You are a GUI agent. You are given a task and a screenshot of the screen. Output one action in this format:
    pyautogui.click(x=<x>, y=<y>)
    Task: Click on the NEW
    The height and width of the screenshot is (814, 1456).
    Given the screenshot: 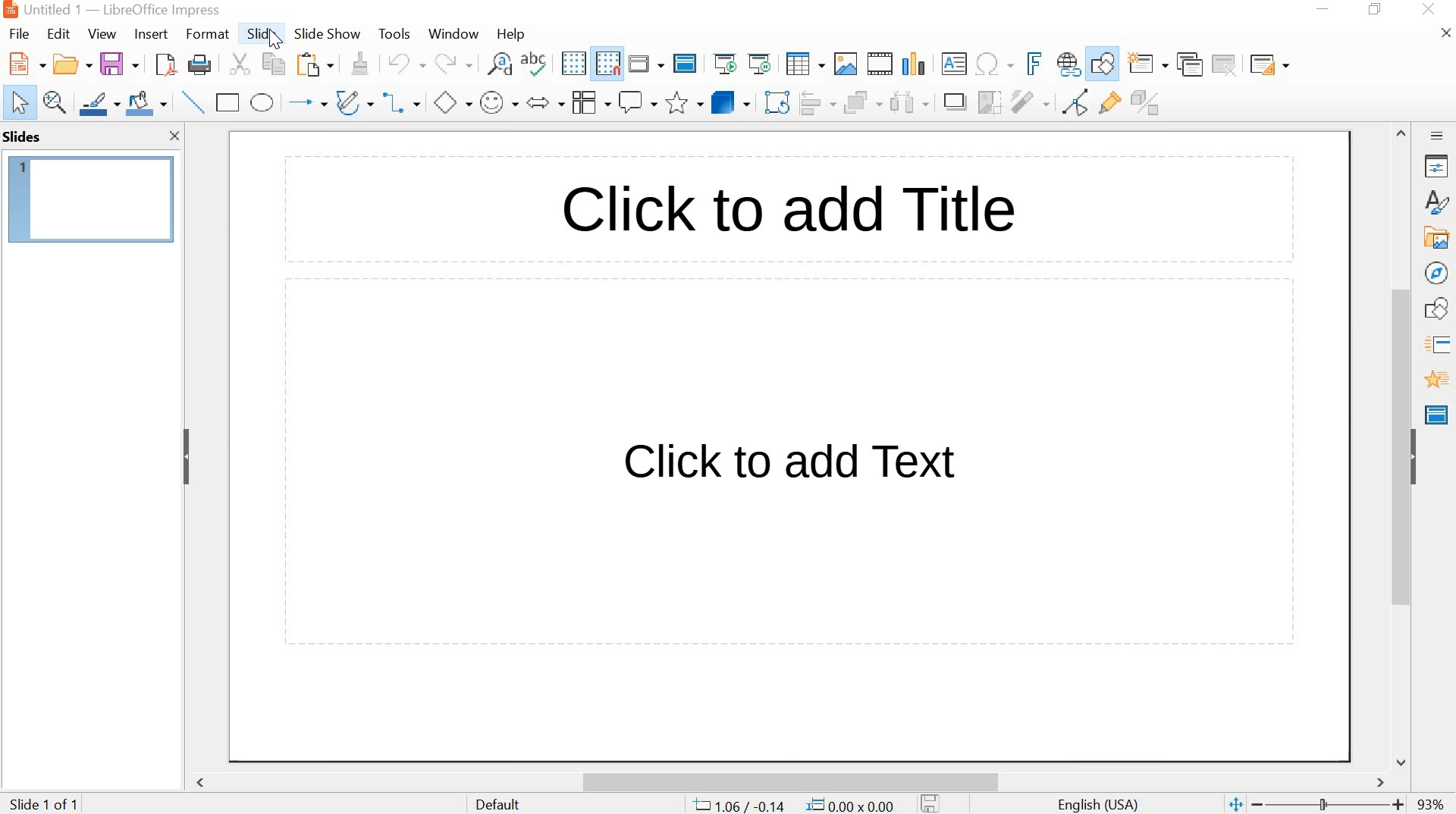 What is the action you would take?
    pyautogui.click(x=23, y=64)
    